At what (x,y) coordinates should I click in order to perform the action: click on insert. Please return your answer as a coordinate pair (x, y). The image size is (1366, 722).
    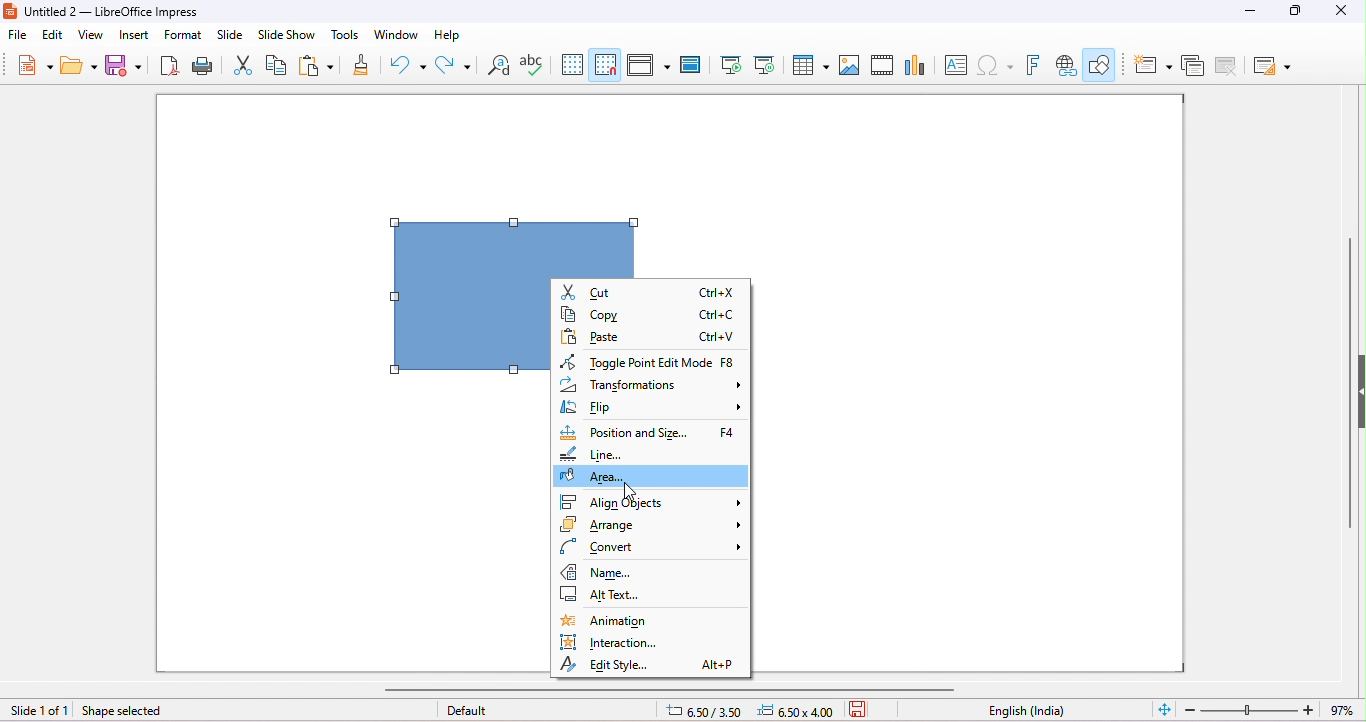
    Looking at the image, I should click on (132, 34).